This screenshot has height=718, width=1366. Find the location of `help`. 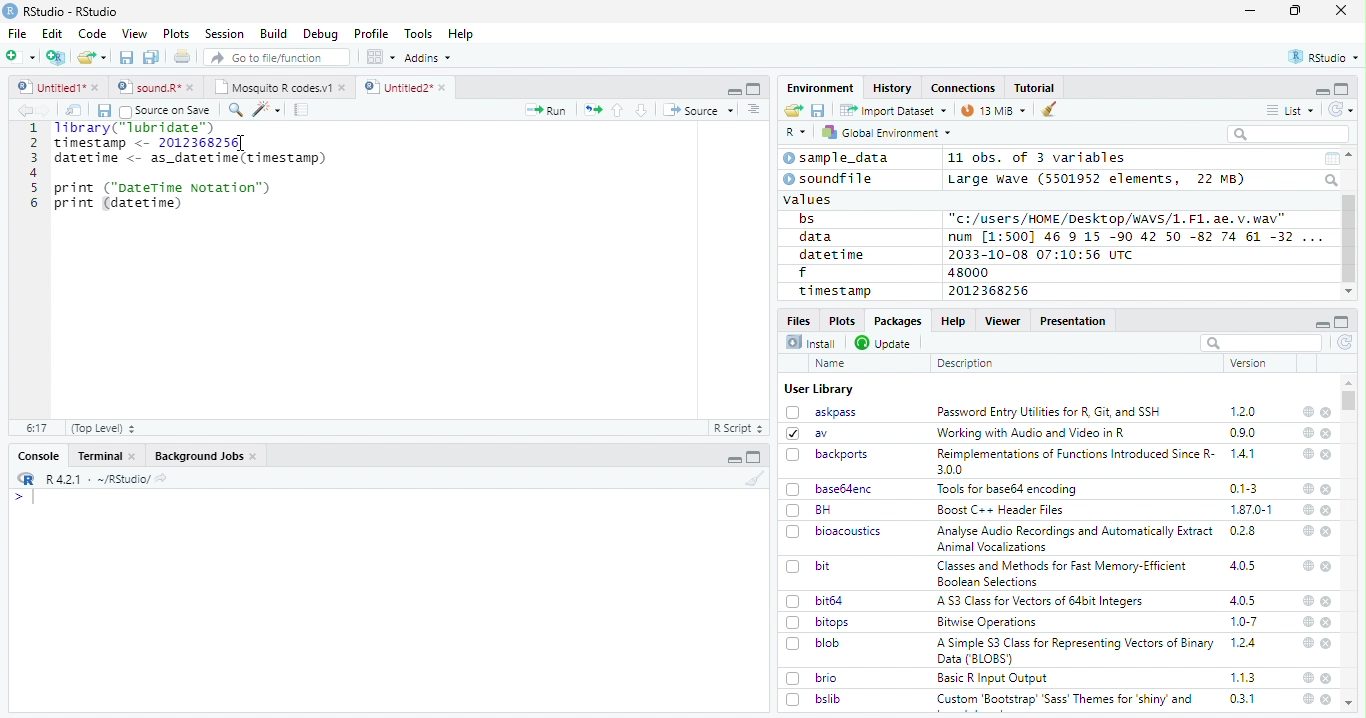

help is located at coordinates (1307, 699).